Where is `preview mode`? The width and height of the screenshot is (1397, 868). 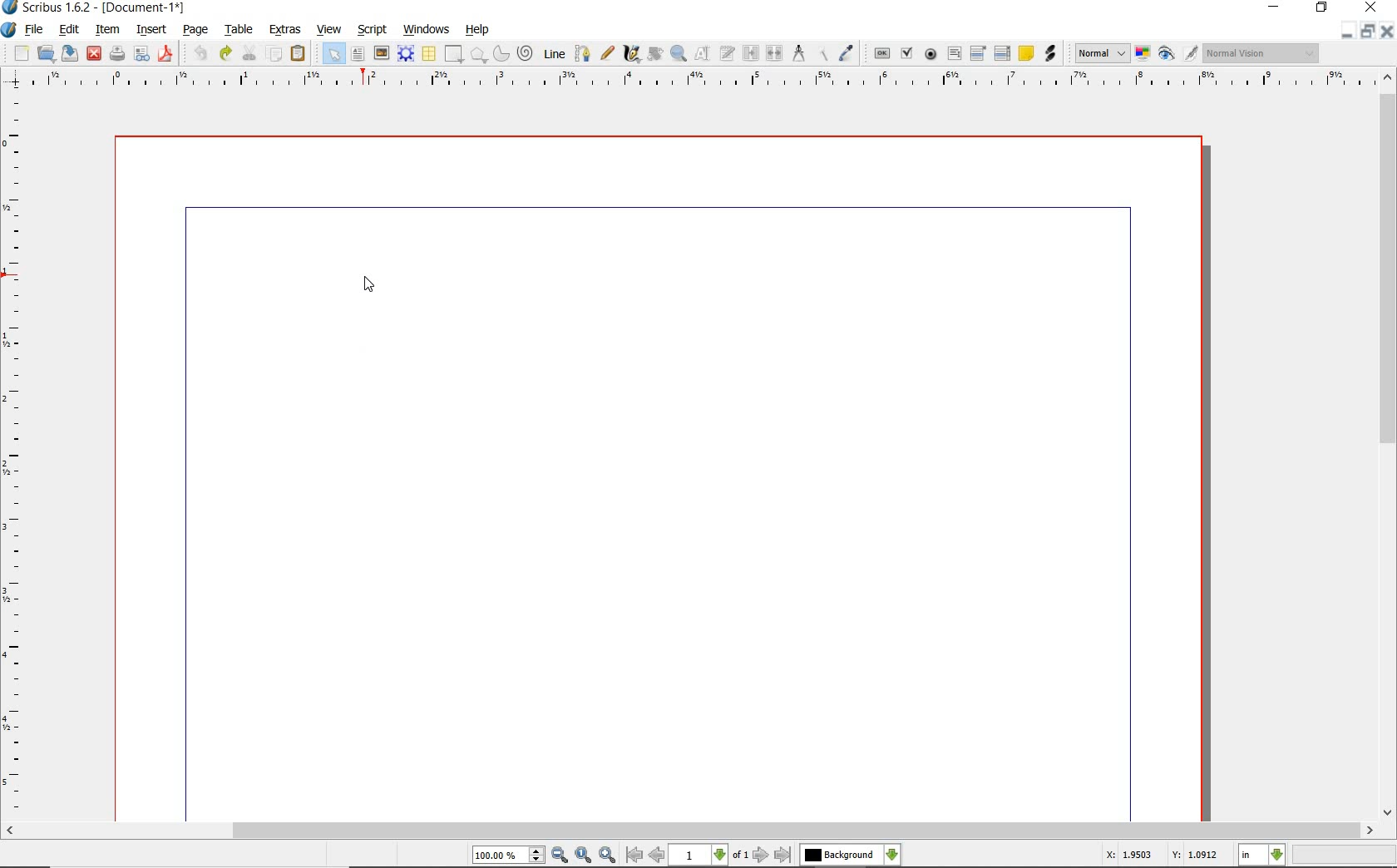
preview mode is located at coordinates (1167, 55).